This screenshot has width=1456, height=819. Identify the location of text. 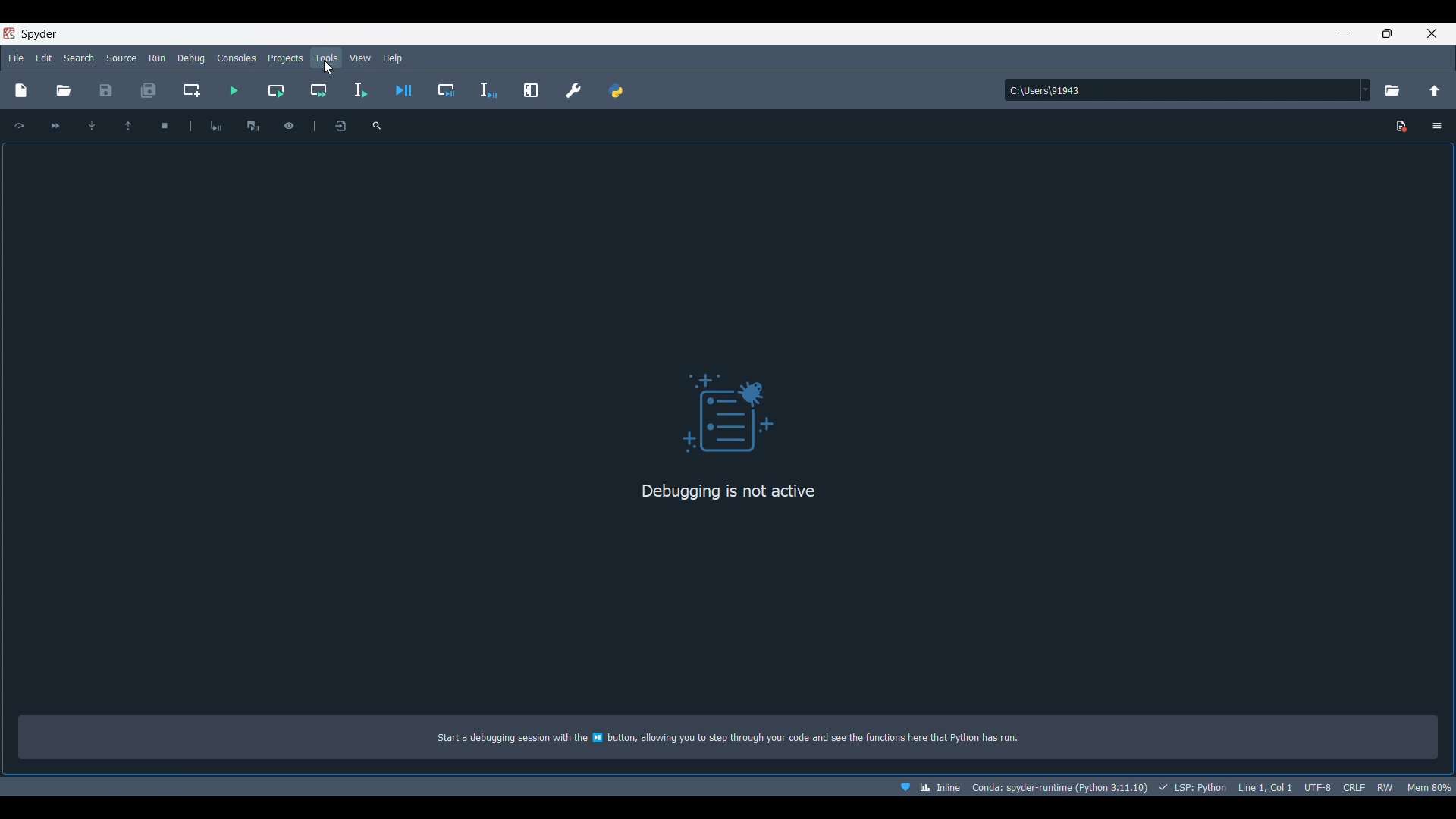
(741, 739).